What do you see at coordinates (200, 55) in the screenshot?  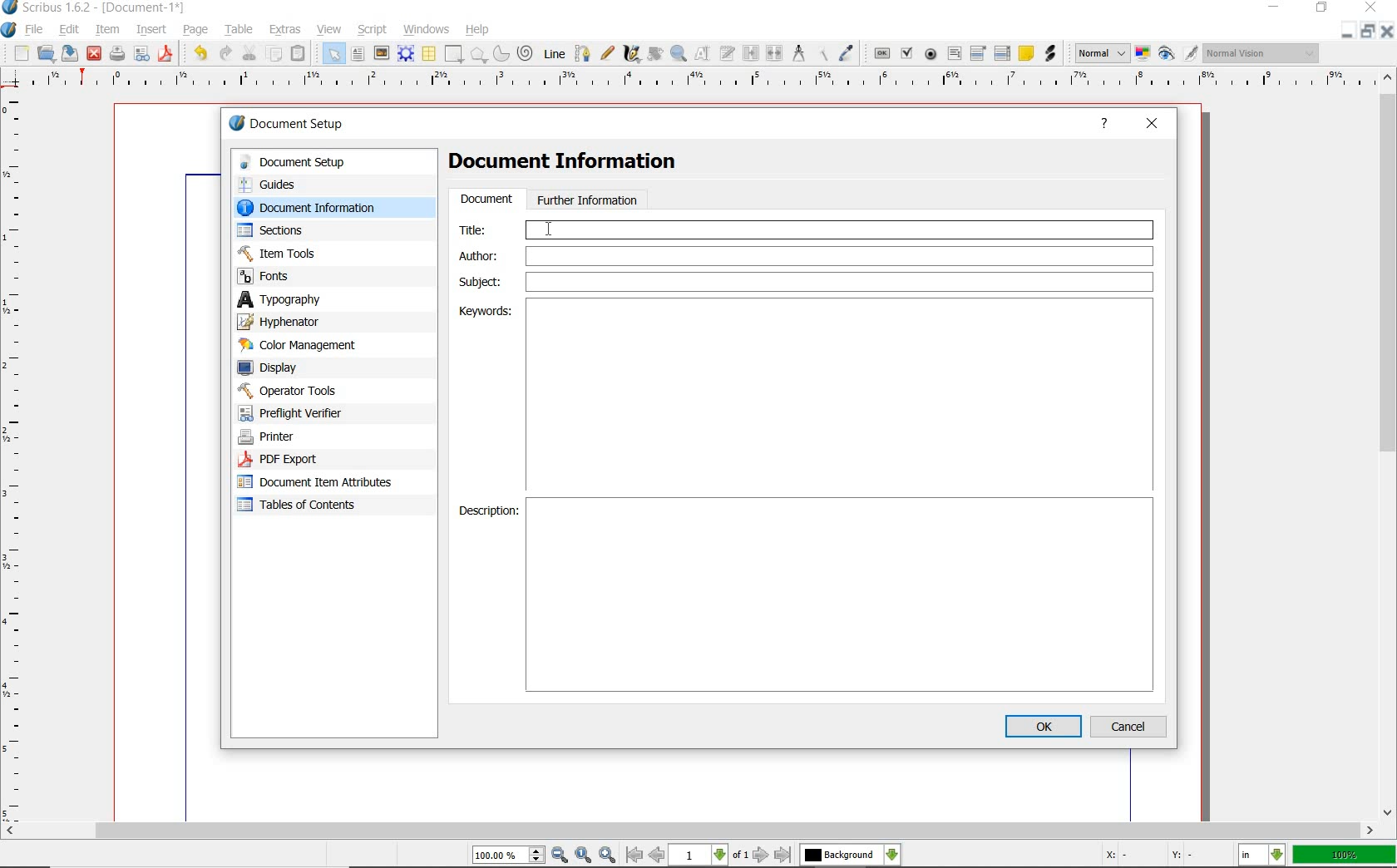 I see `undo` at bounding box center [200, 55].